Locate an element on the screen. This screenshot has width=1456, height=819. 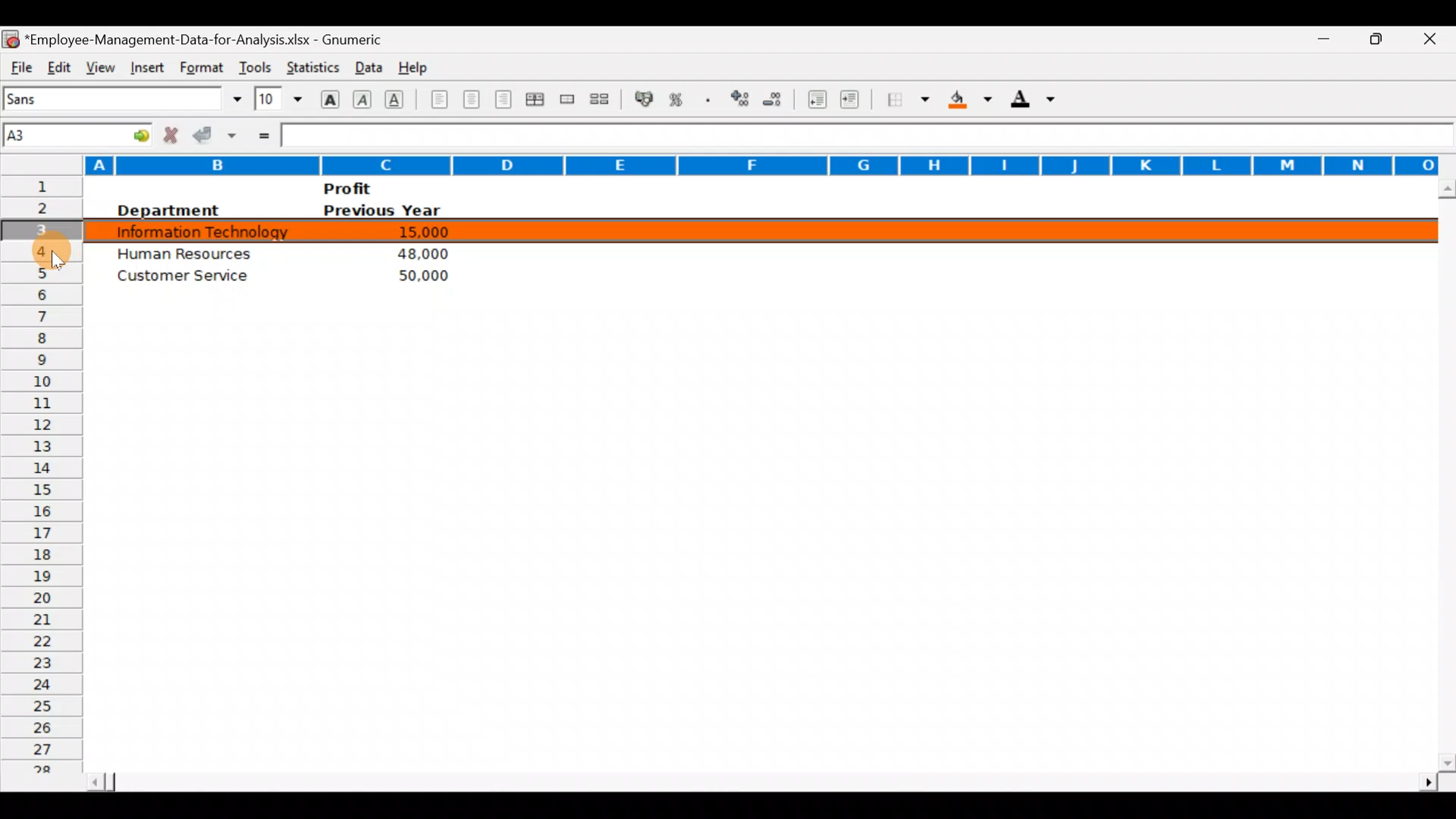
Close is located at coordinates (1435, 40).